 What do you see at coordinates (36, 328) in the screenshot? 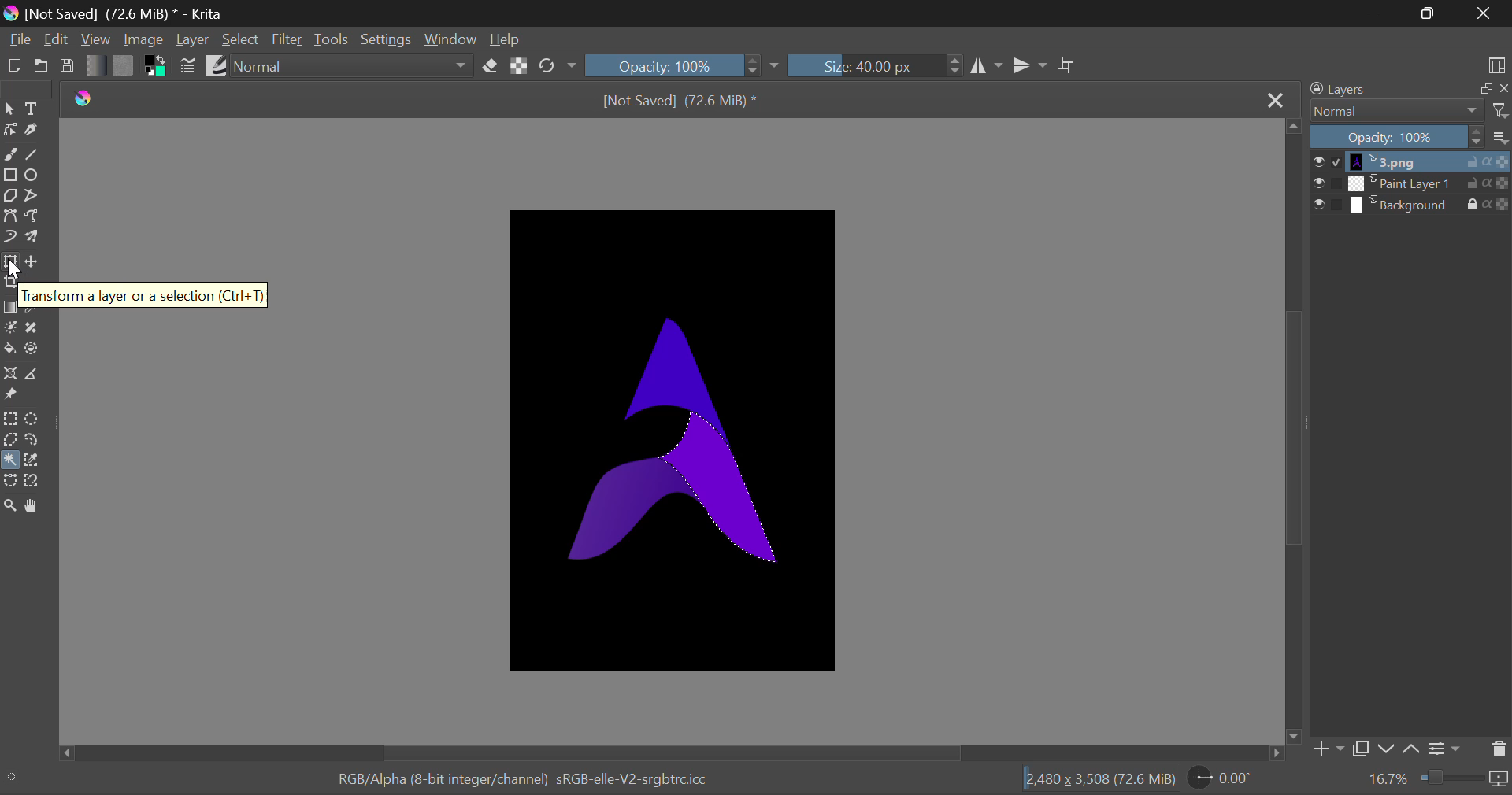
I see `Smart Patch Tool` at bounding box center [36, 328].